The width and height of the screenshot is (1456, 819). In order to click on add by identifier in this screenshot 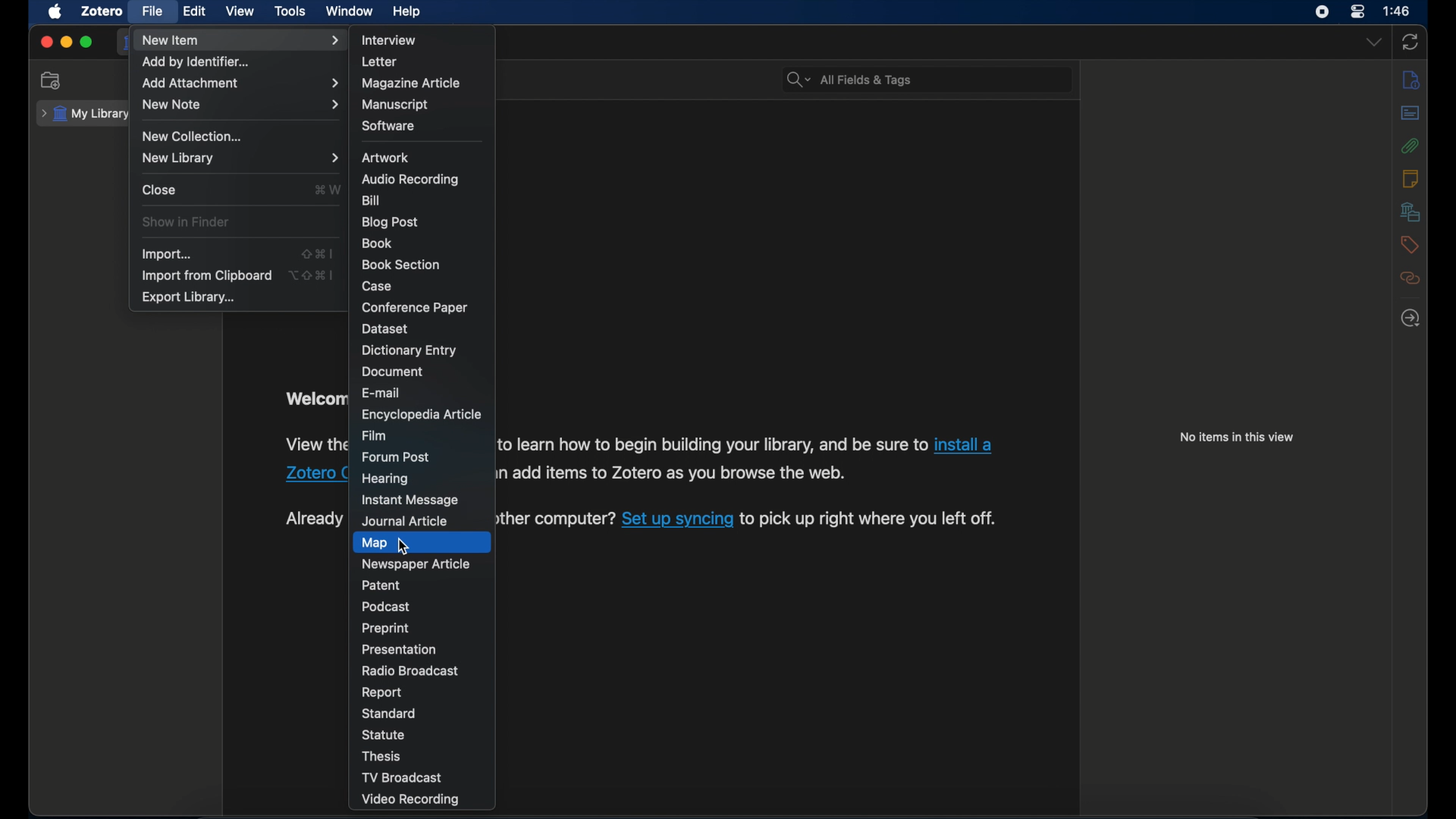, I will do `click(197, 63)`.